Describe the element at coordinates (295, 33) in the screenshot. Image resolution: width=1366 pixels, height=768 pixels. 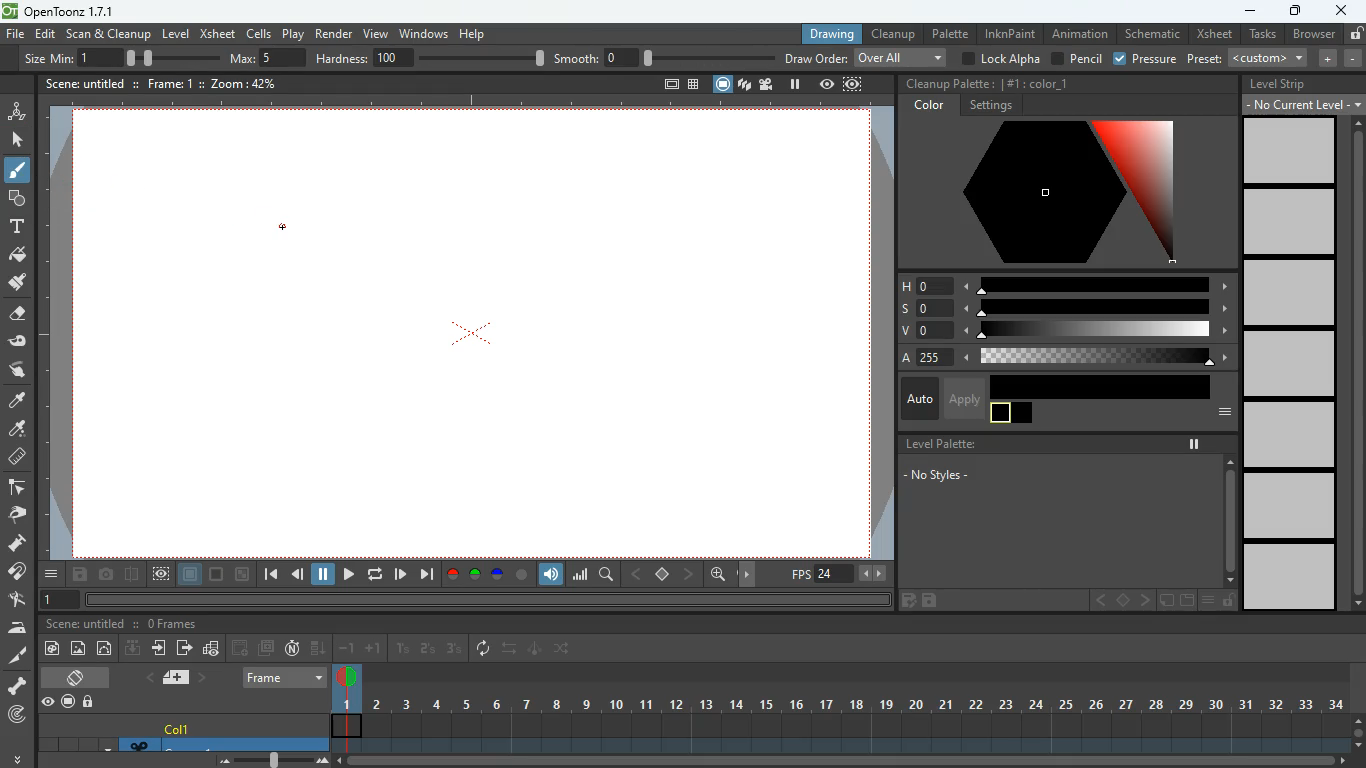
I see `play` at that location.